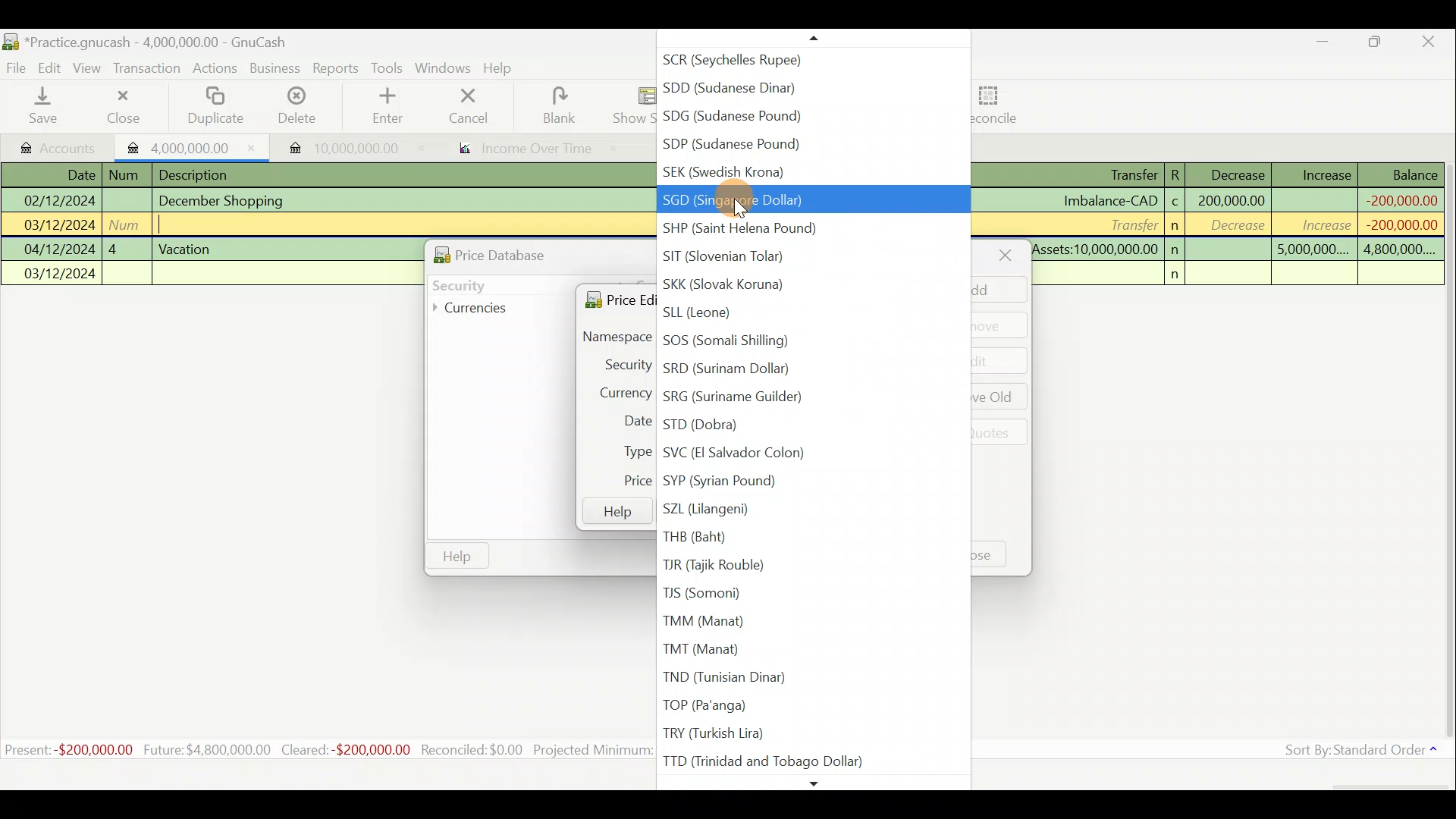 This screenshot has height=819, width=1456. Describe the element at coordinates (1317, 224) in the screenshot. I see `increase` at that location.